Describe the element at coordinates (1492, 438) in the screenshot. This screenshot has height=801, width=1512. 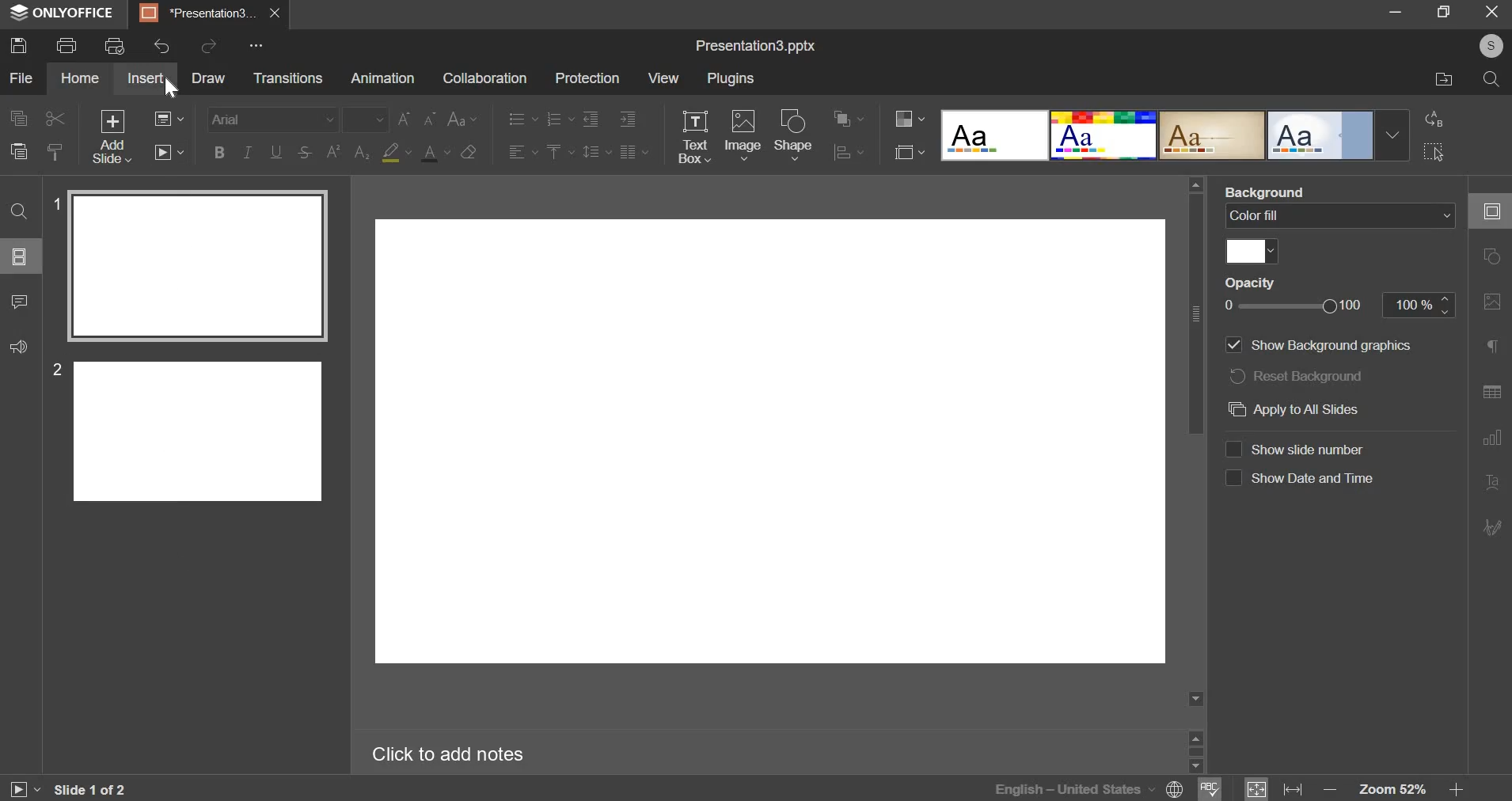
I see `Chart settings` at that location.